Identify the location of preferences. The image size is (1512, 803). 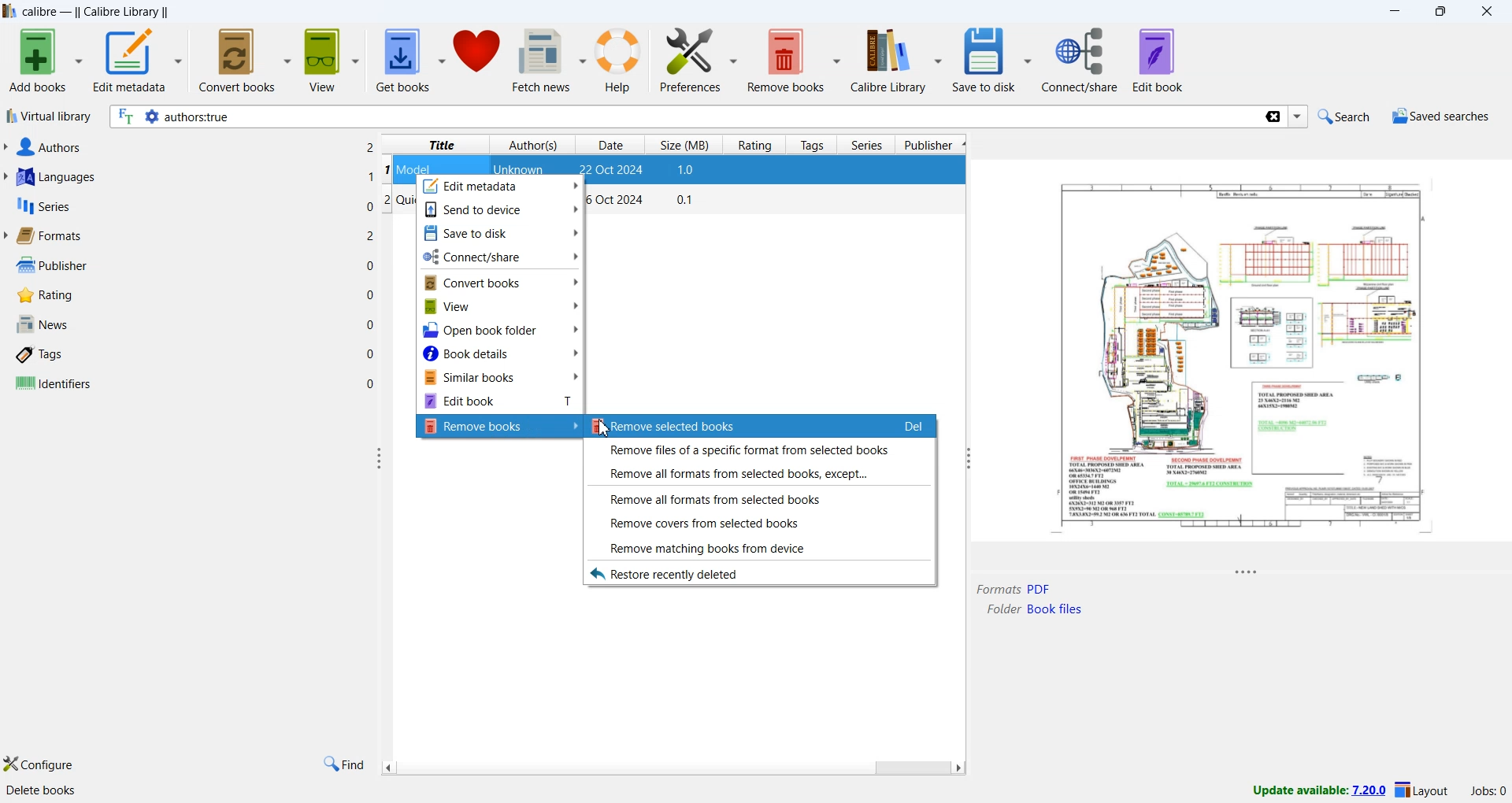
(699, 61).